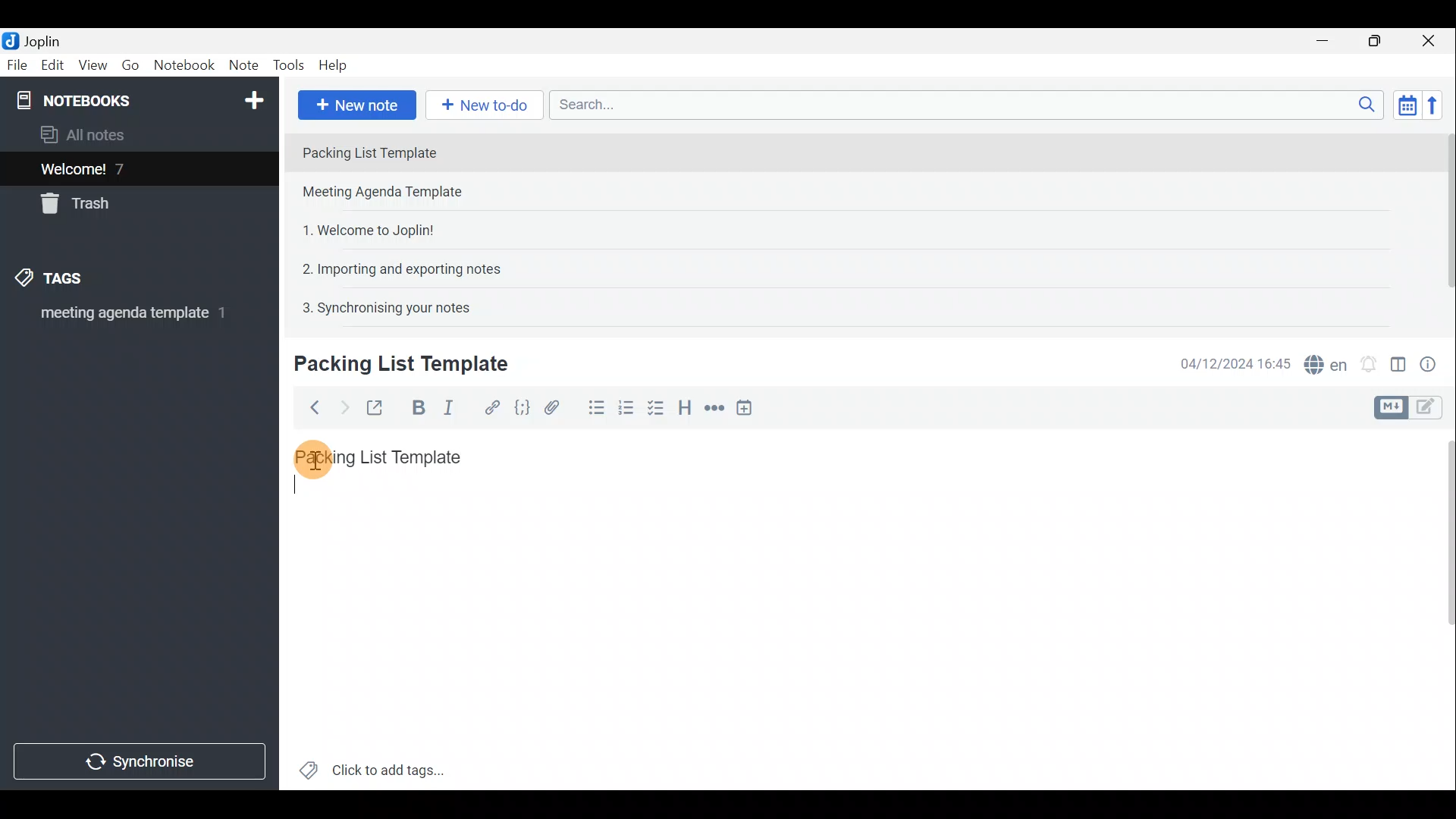 This screenshot has height=819, width=1456. What do you see at coordinates (394, 266) in the screenshot?
I see `Note 4` at bounding box center [394, 266].